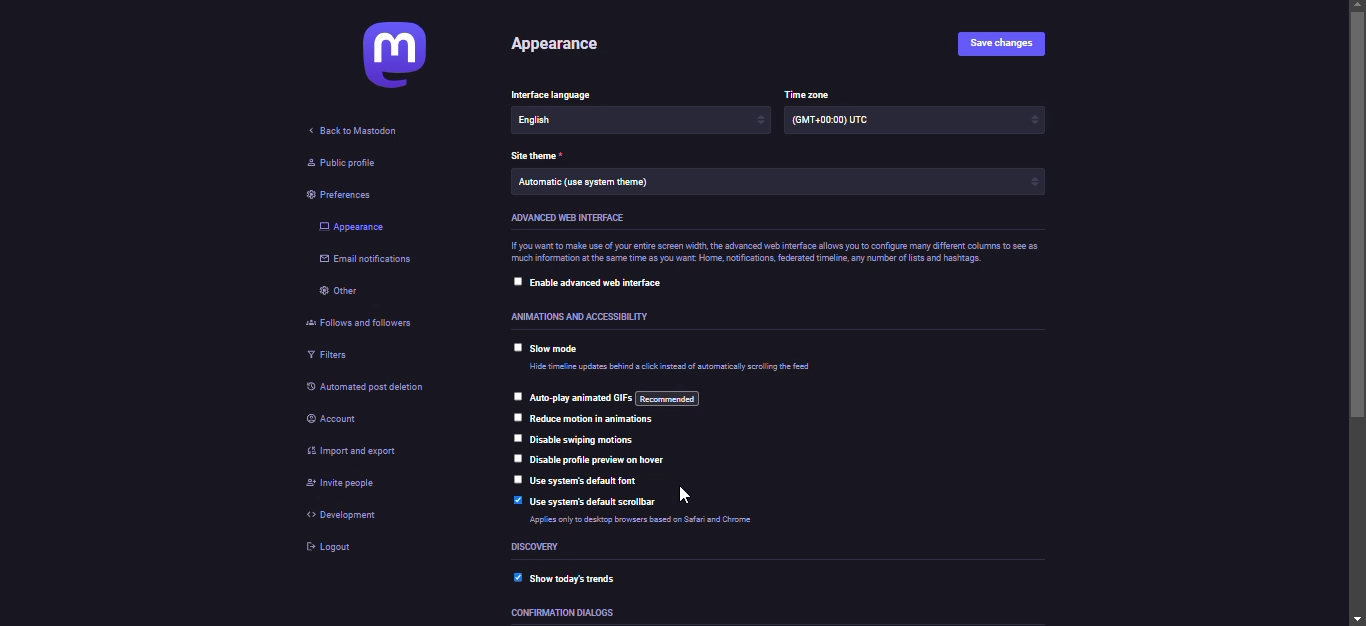  I want to click on filters, so click(333, 354).